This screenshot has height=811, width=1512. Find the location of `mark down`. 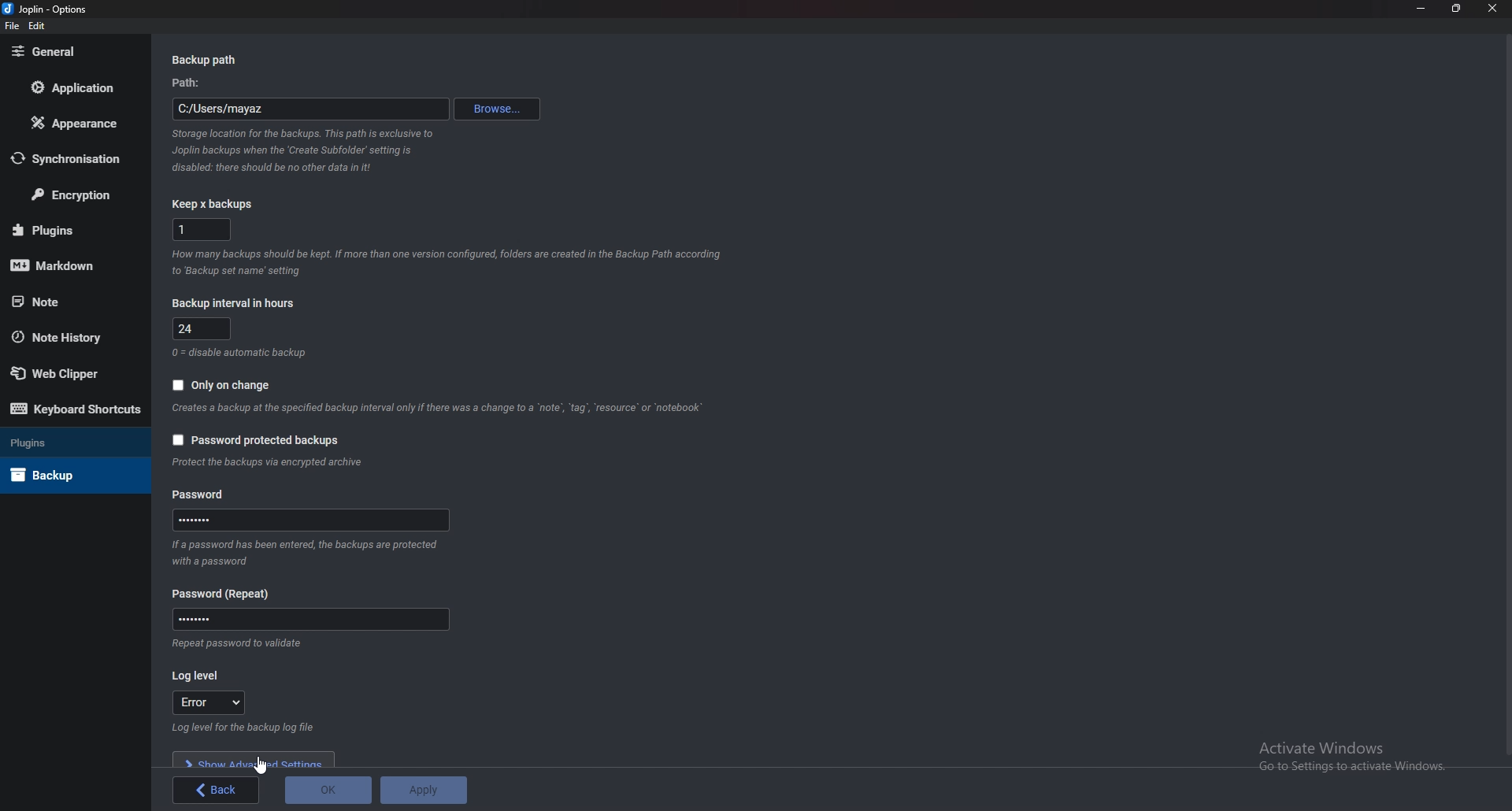

mark down is located at coordinates (64, 267).